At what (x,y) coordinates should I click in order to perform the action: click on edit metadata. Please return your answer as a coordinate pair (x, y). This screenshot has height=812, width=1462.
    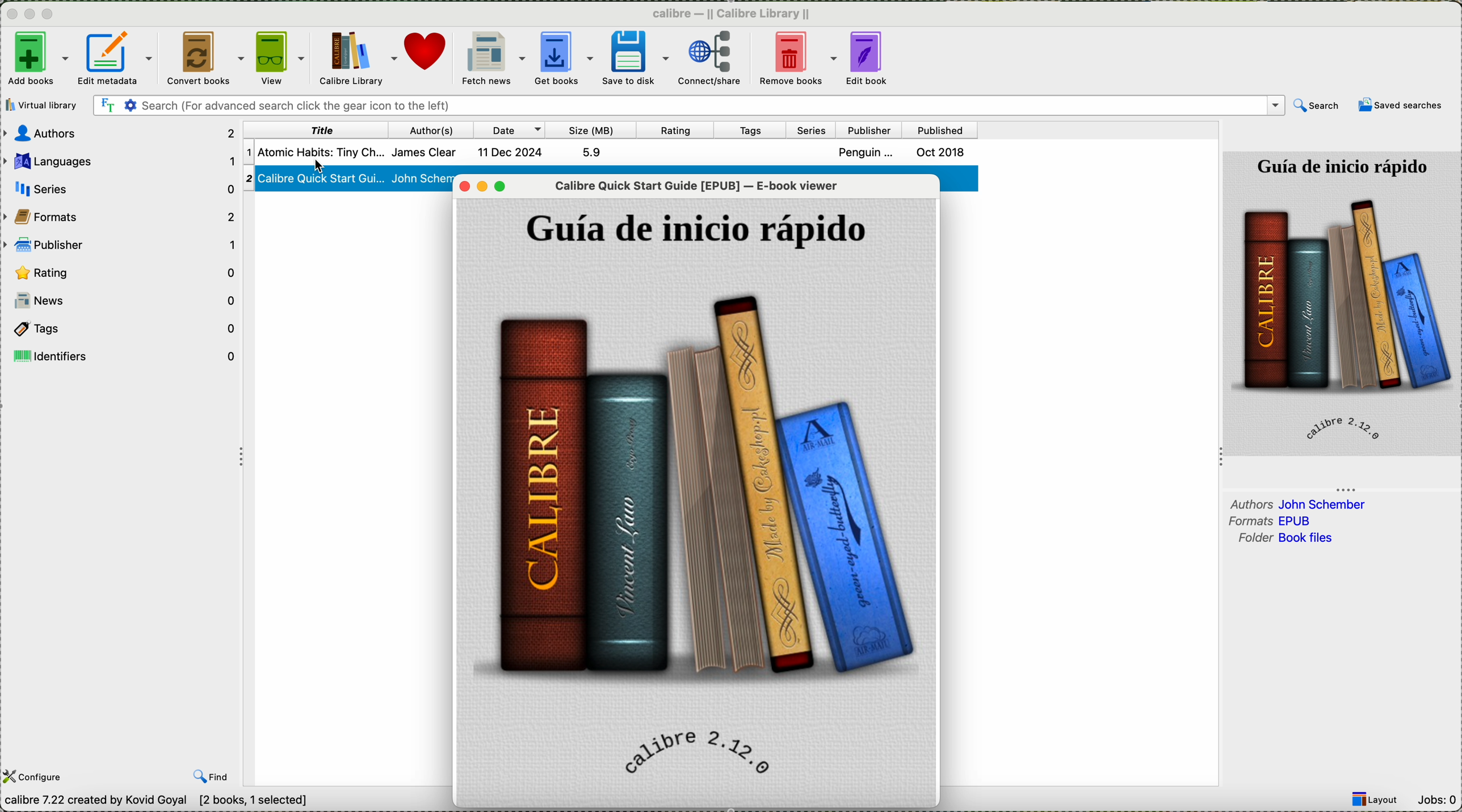
    Looking at the image, I should click on (114, 58).